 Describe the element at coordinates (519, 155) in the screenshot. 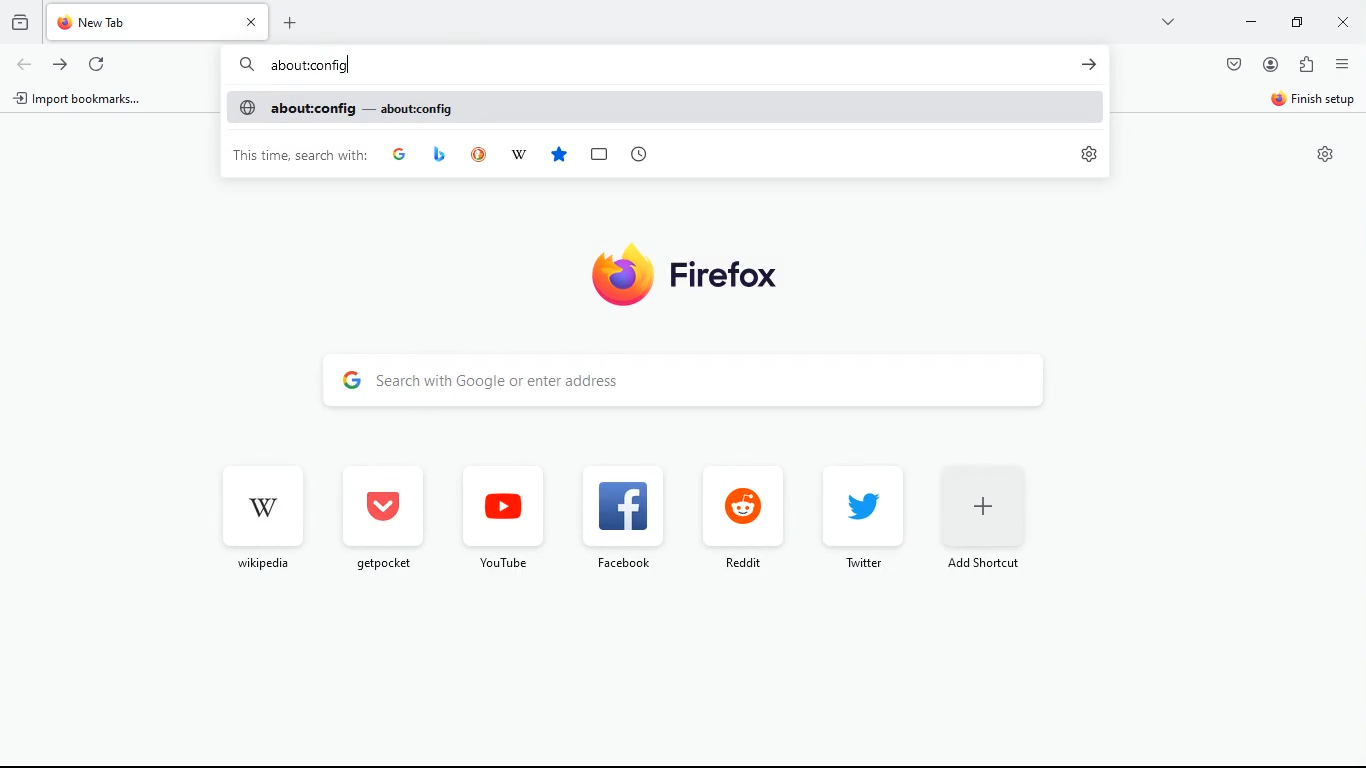

I see `Wikipedia` at that location.